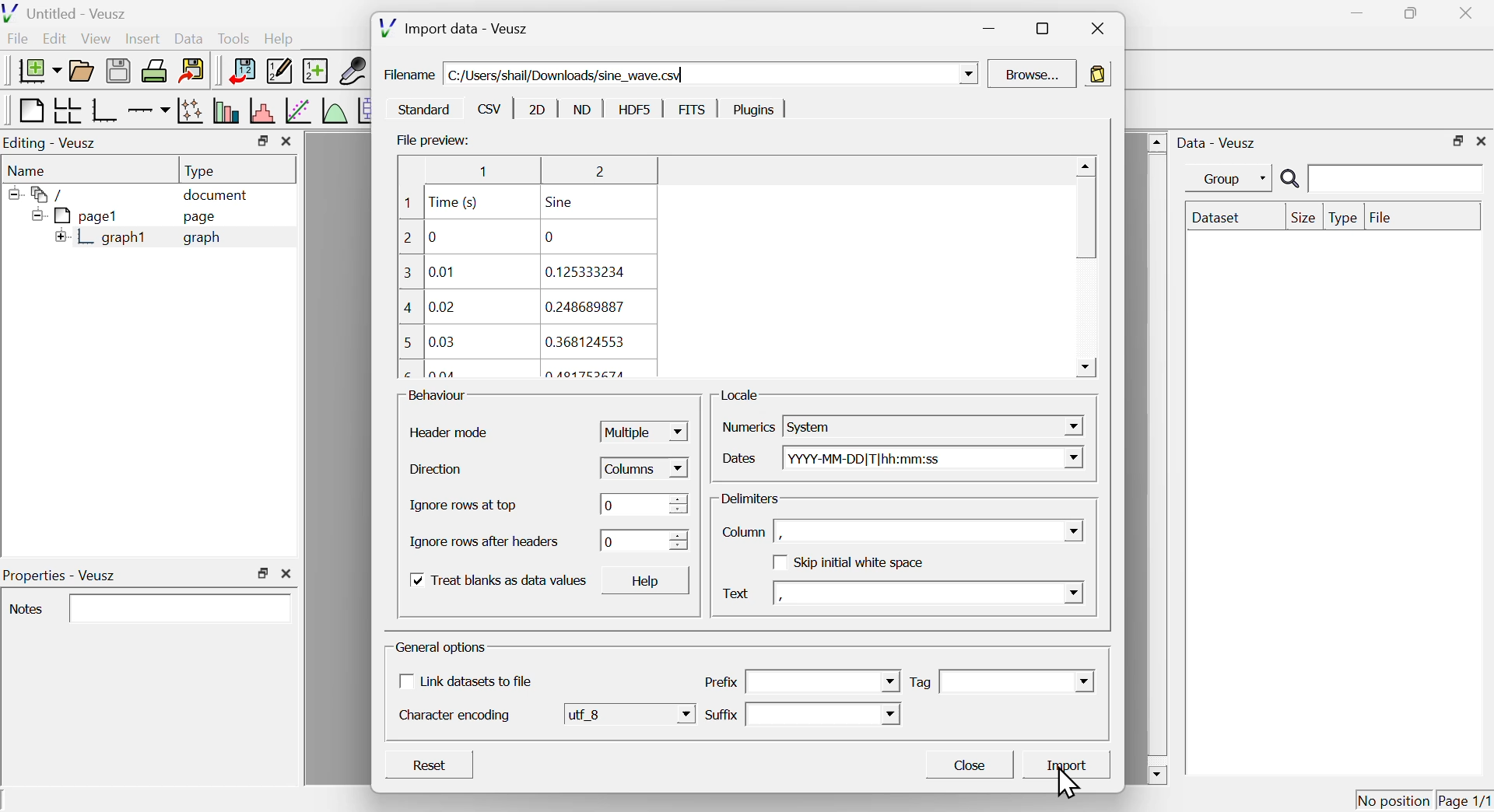  What do you see at coordinates (932, 458) in the screenshot?
I see `| YYYY-MM-DD|T|hh:mm:ss ` at bounding box center [932, 458].